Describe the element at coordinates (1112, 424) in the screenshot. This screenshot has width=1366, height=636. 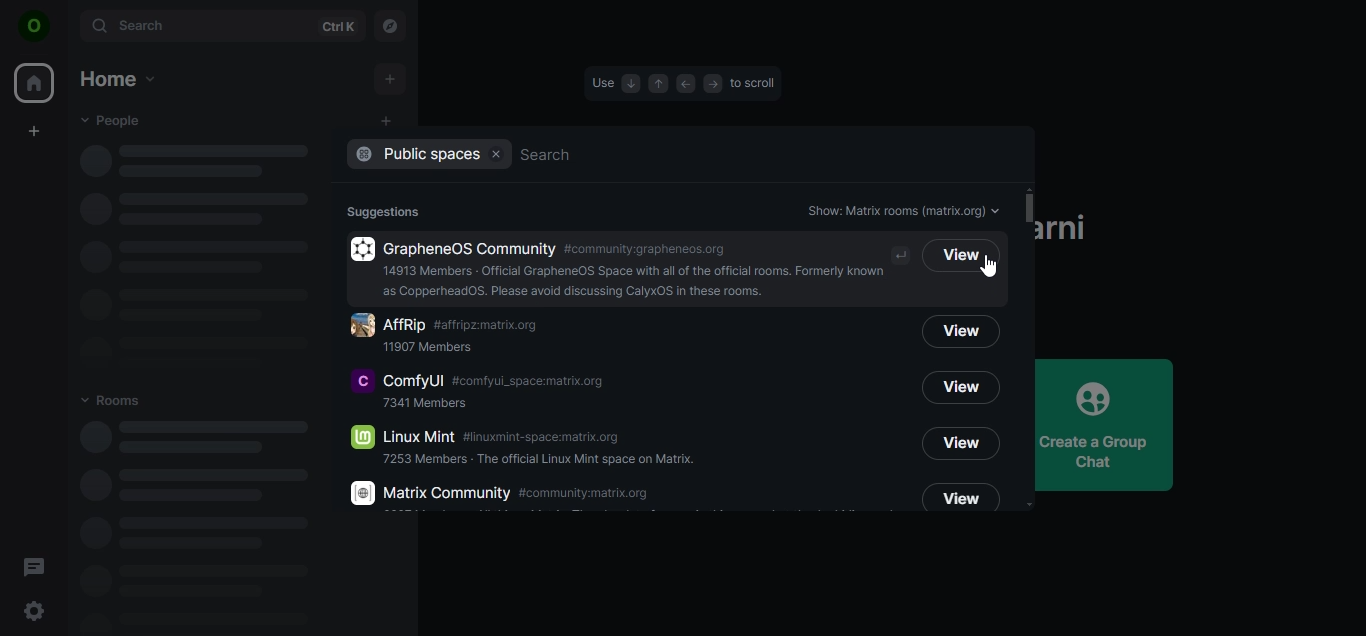
I see `create a group chat` at that location.